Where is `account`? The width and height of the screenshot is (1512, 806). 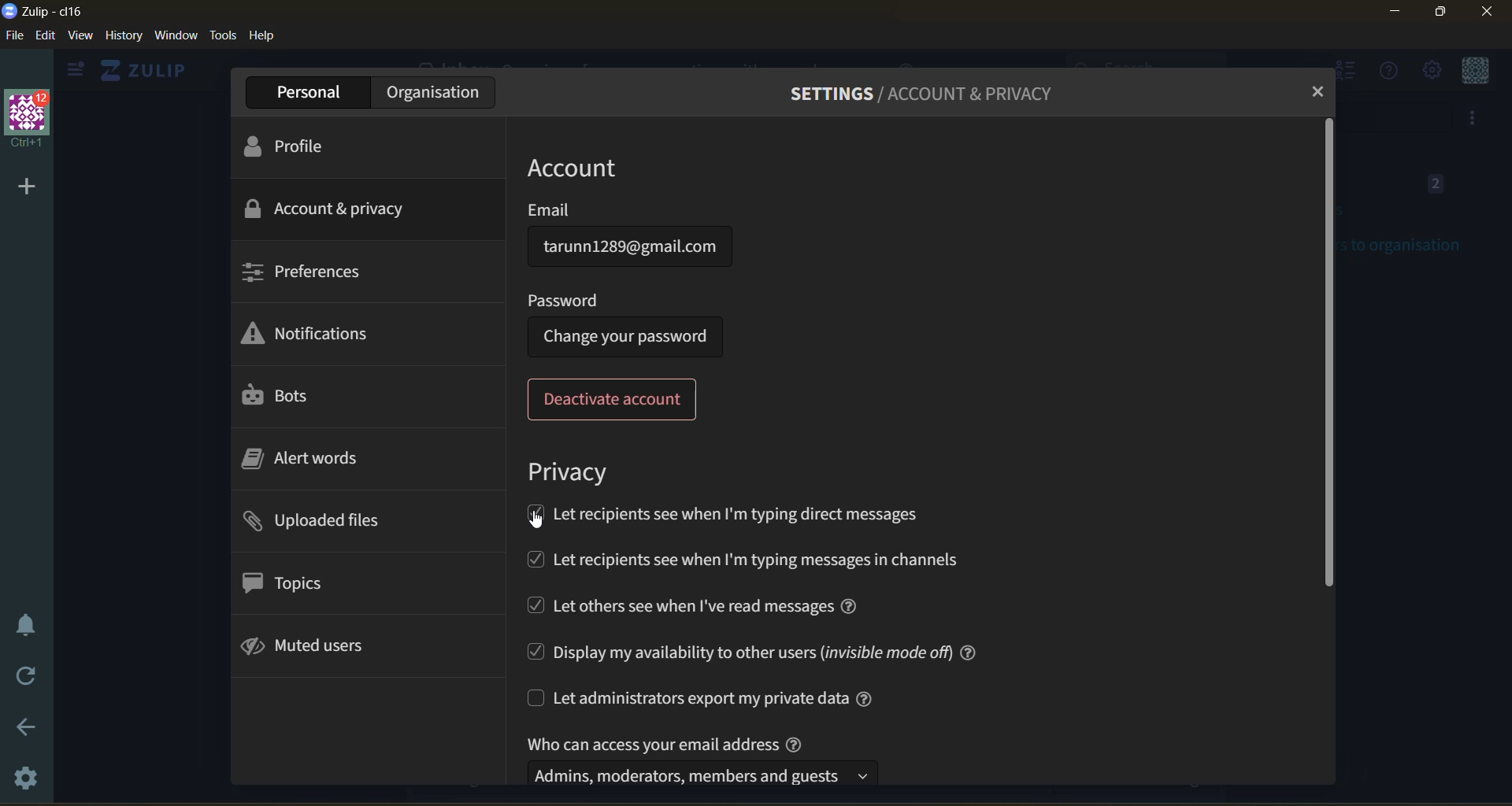
account is located at coordinates (596, 166).